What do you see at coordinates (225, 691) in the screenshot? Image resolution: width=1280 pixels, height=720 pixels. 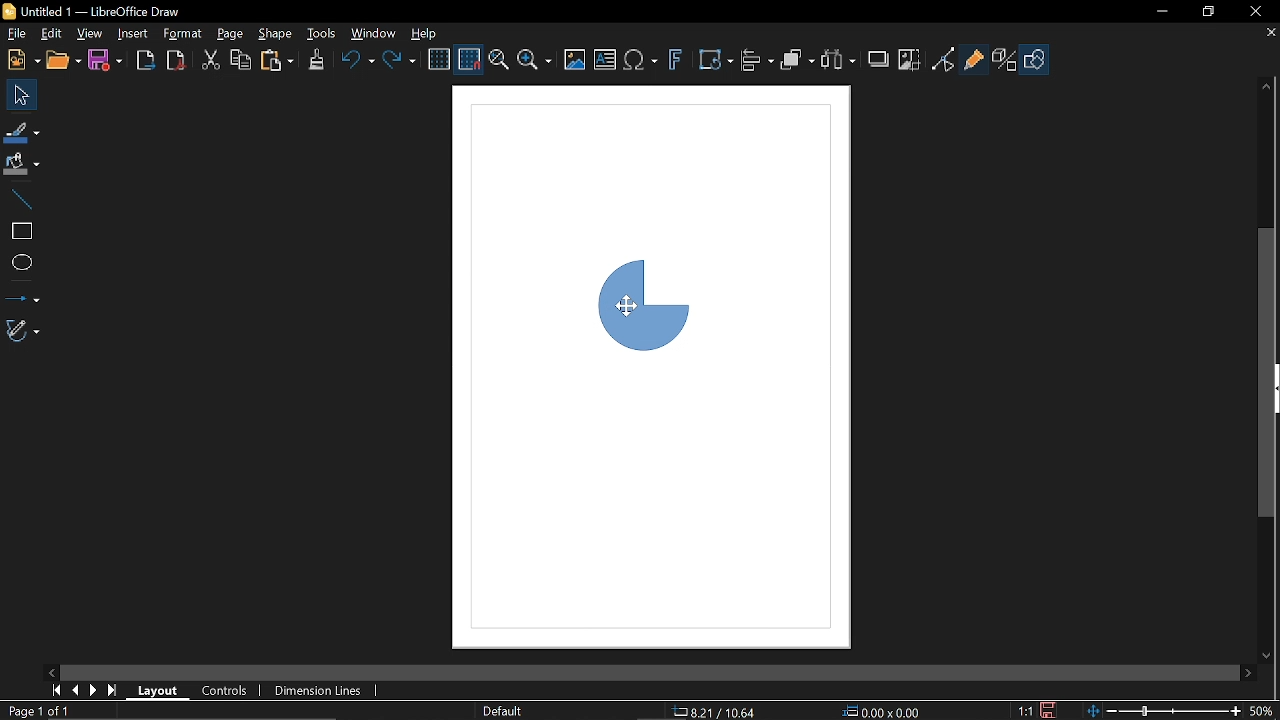 I see `Controls` at bounding box center [225, 691].